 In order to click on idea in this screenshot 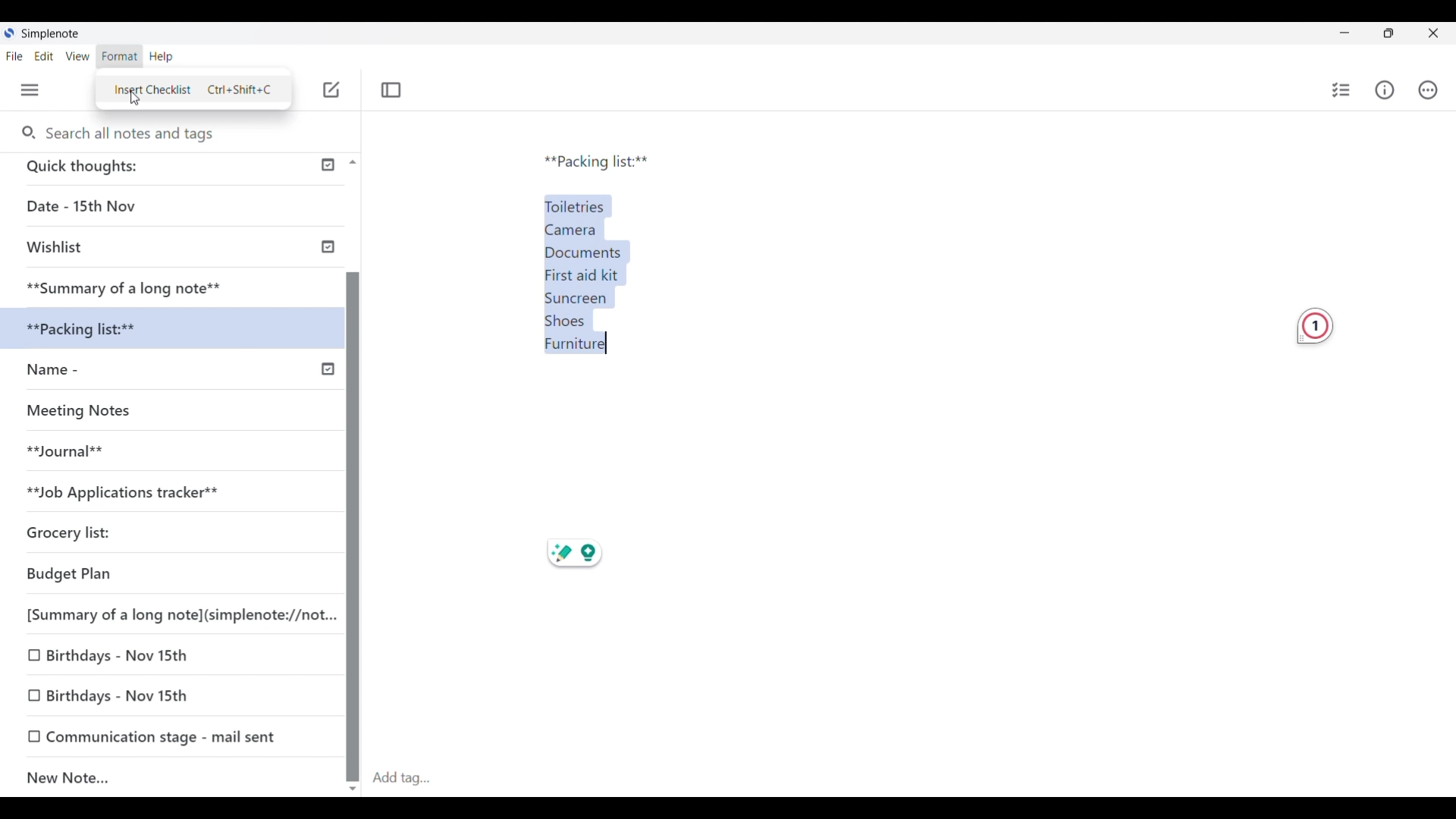, I will do `click(601, 551)`.